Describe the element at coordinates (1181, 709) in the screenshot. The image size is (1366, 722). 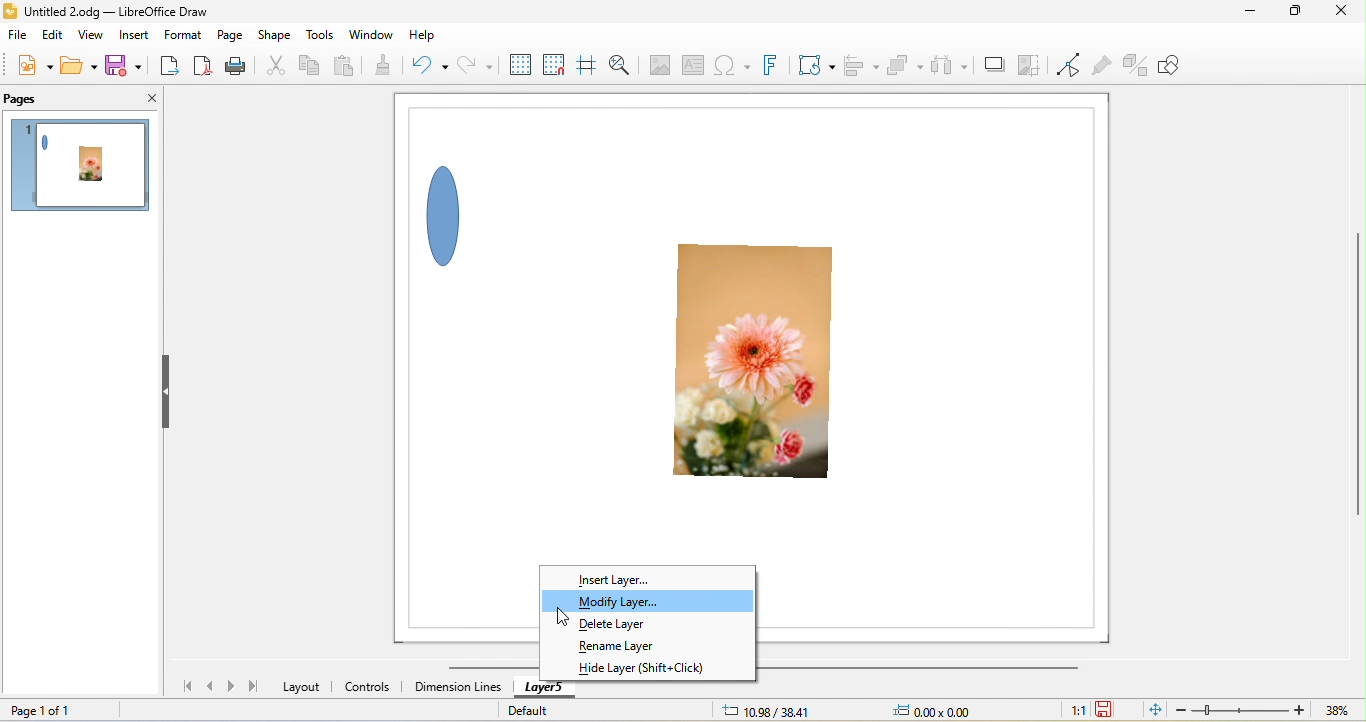
I see `zoom out` at that location.